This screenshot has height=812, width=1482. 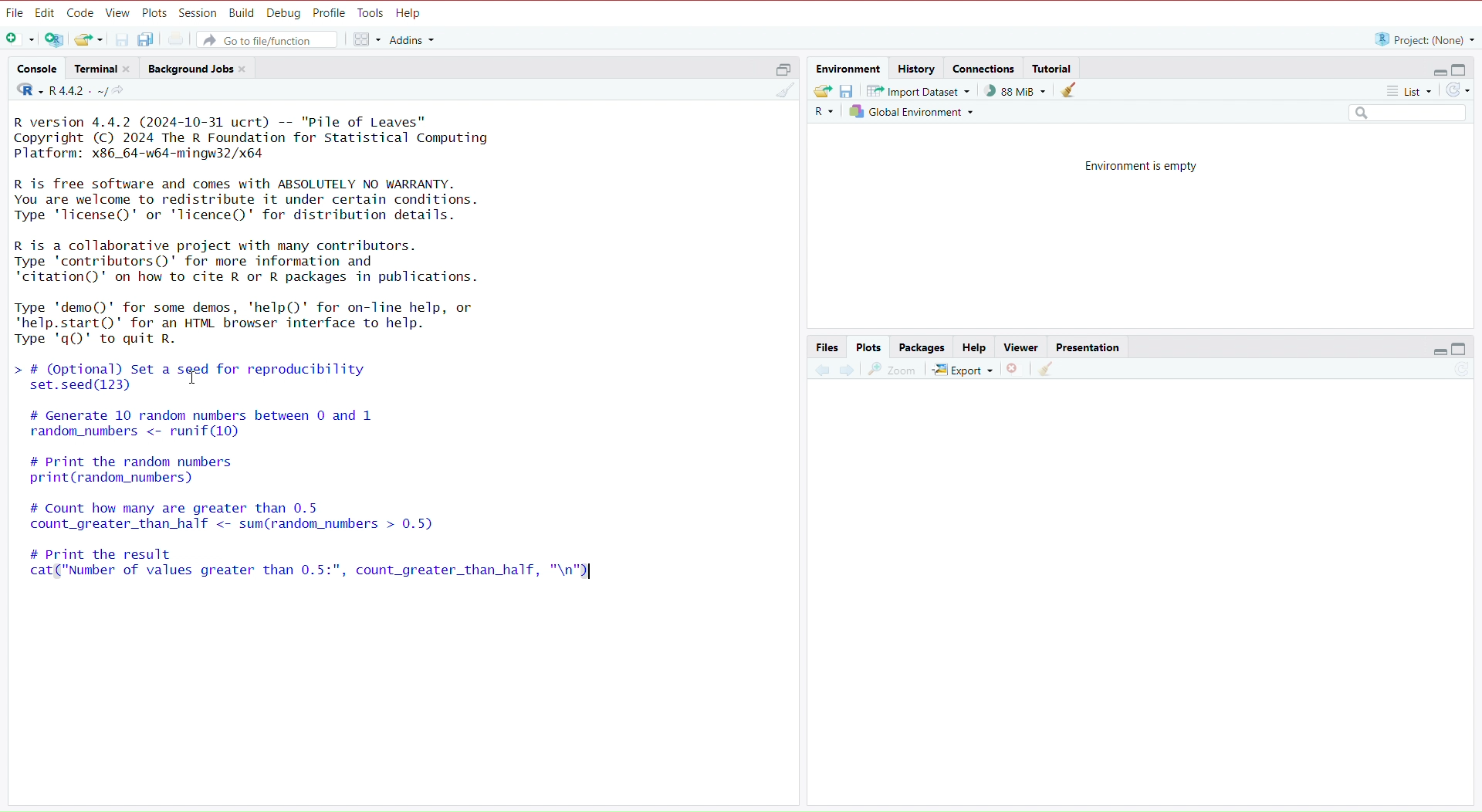 I want to click on Save all open files, so click(x=145, y=40).